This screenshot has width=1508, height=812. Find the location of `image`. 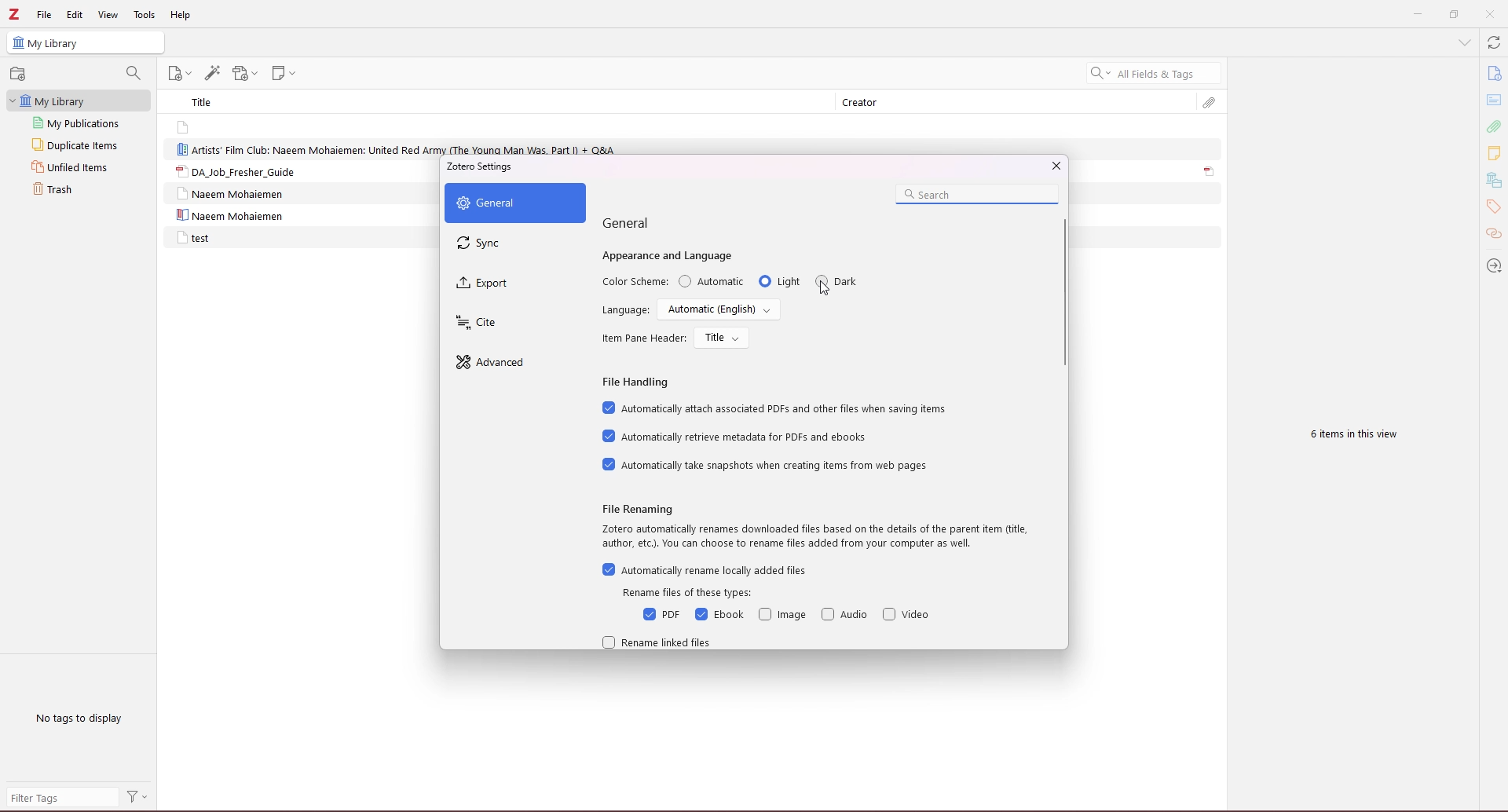

image is located at coordinates (782, 616).